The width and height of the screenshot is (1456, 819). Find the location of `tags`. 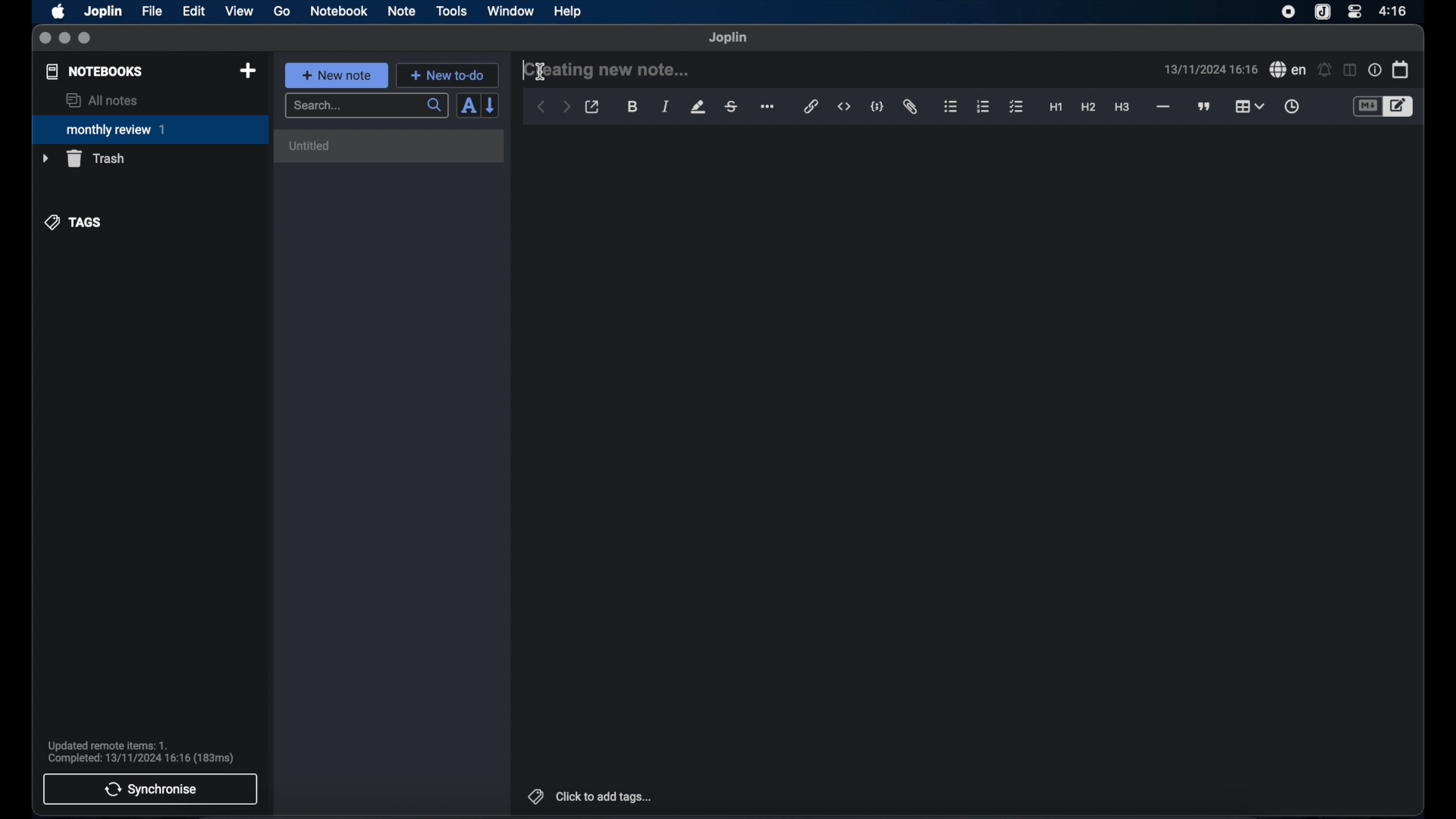

tags is located at coordinates (74, 222).